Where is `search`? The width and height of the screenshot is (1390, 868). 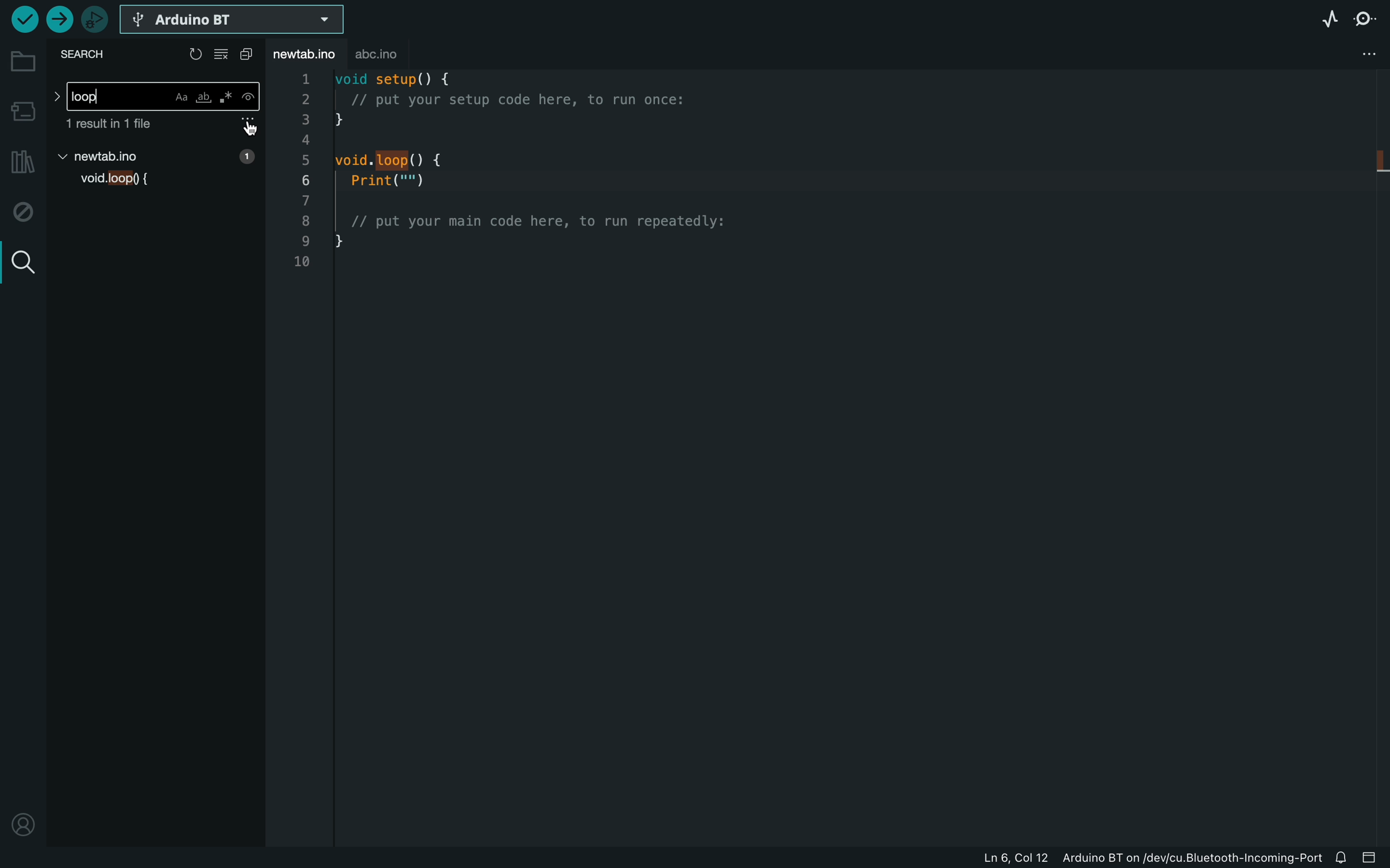
search is located at coordinates (22, 263).